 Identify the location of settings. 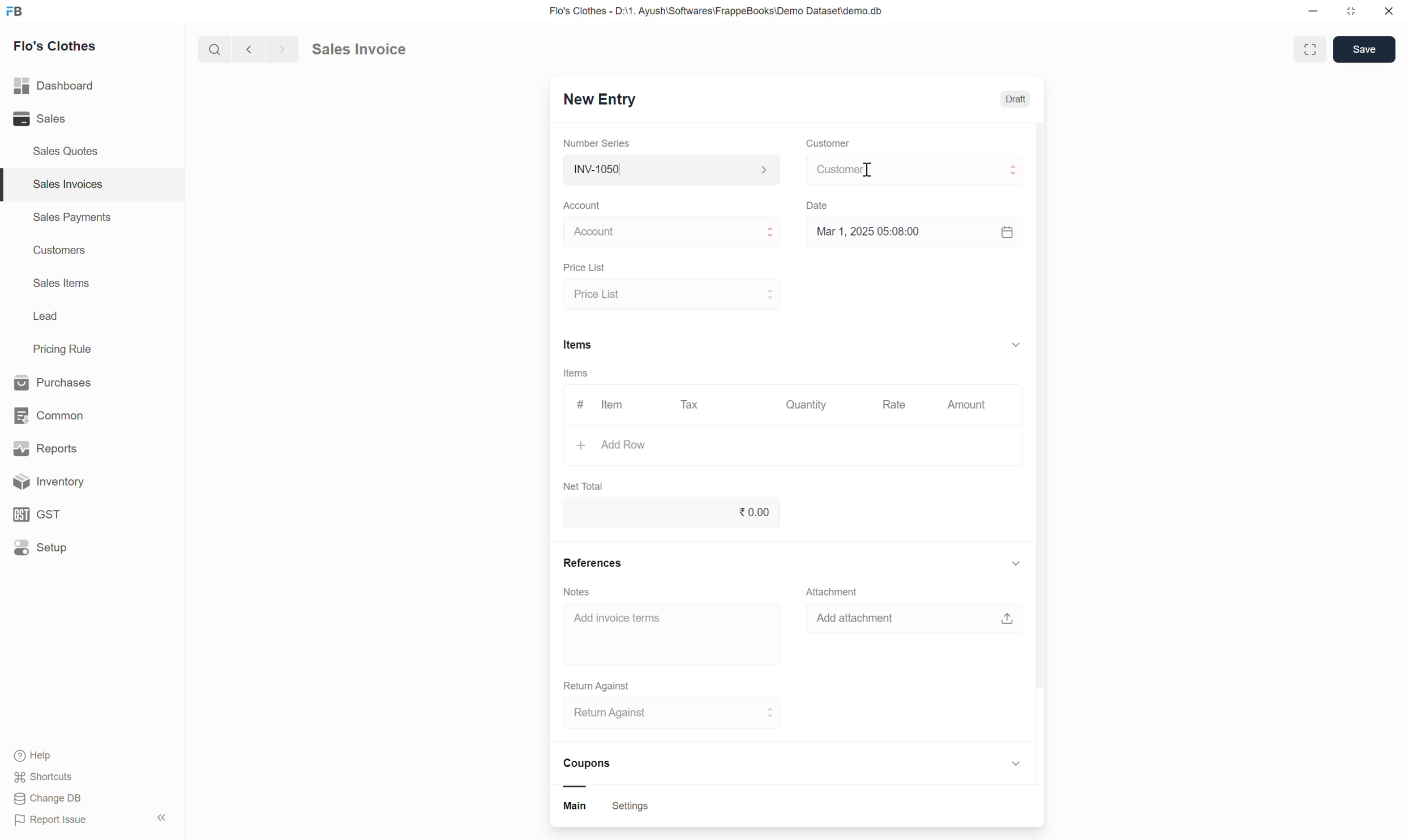
(631, 808).